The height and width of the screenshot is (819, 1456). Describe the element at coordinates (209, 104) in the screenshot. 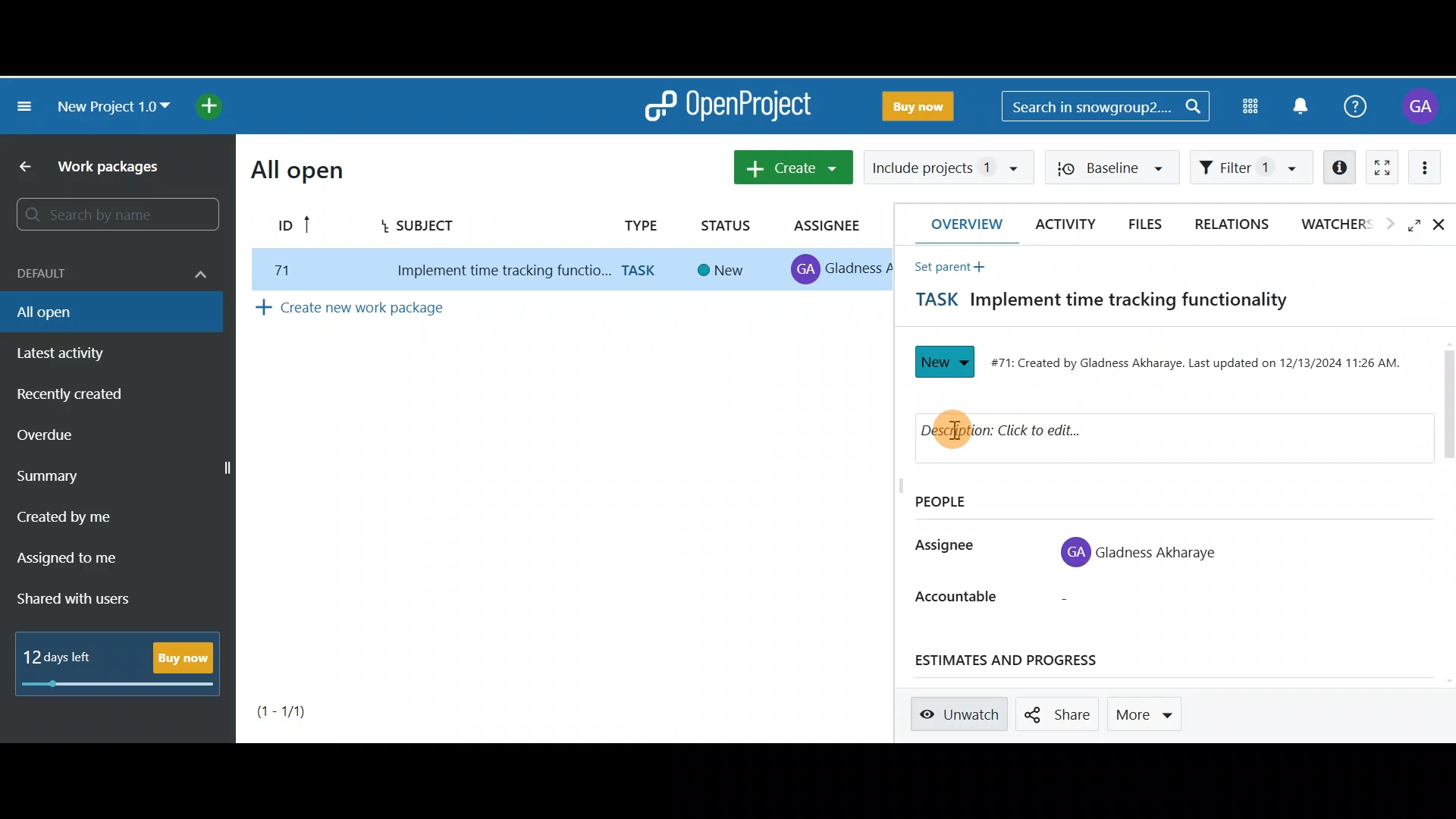

I see `Open quick add menu` at that location.